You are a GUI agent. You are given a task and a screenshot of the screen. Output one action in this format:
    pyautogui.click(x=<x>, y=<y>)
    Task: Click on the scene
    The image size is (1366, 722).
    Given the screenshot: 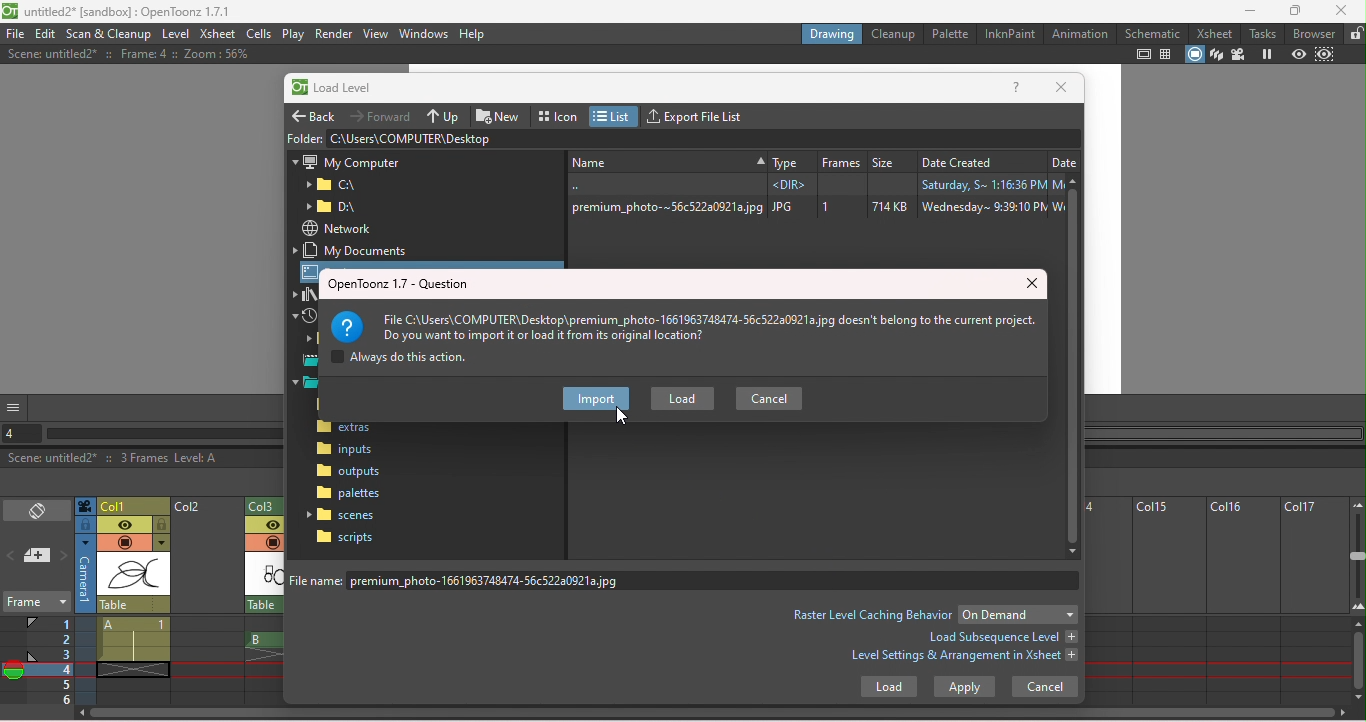 What is the action you would take?
    pyautogui.click(x=134, y=575)
    